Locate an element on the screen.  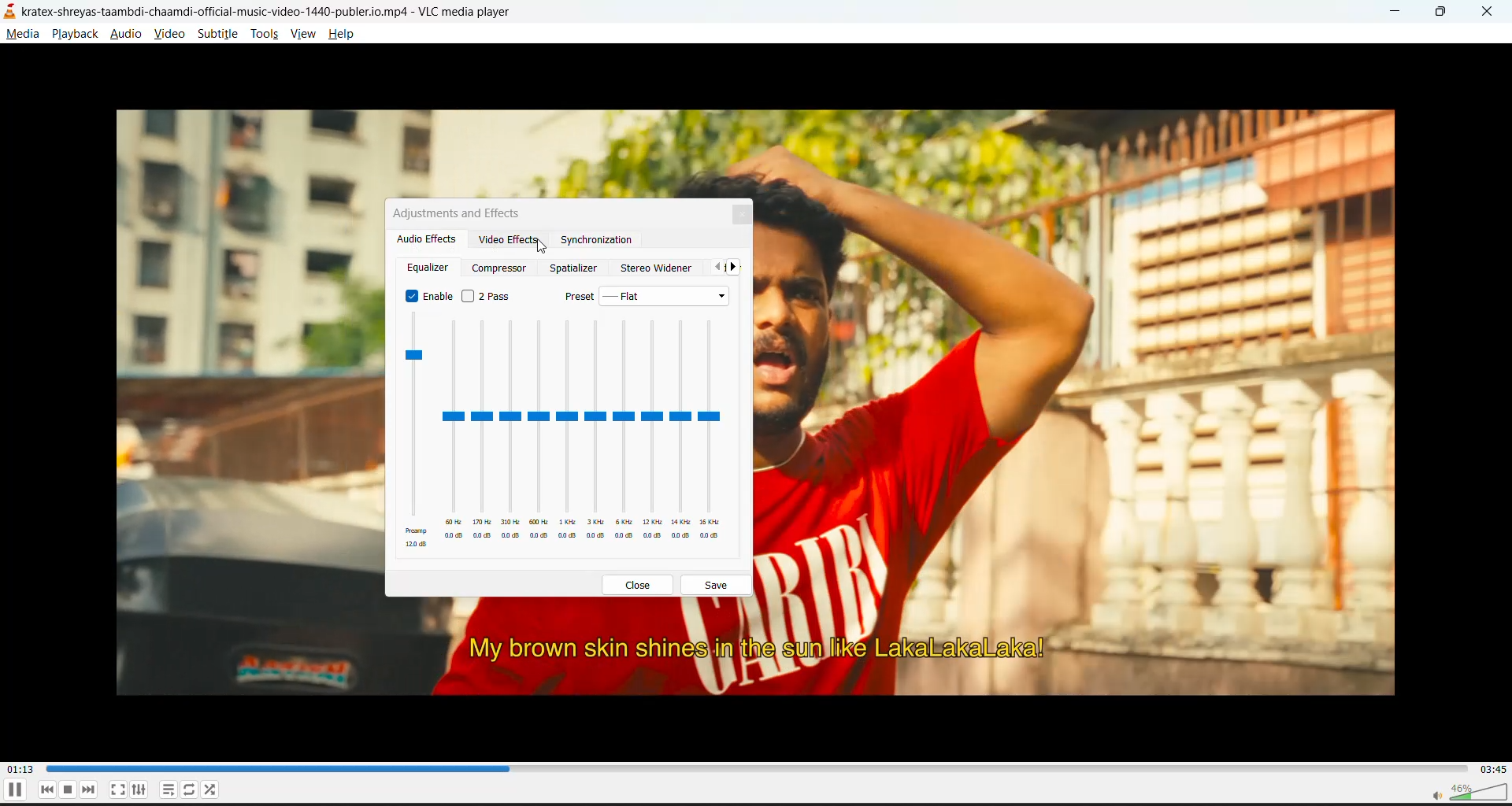
audio effects is located at coordinates (426, 239).